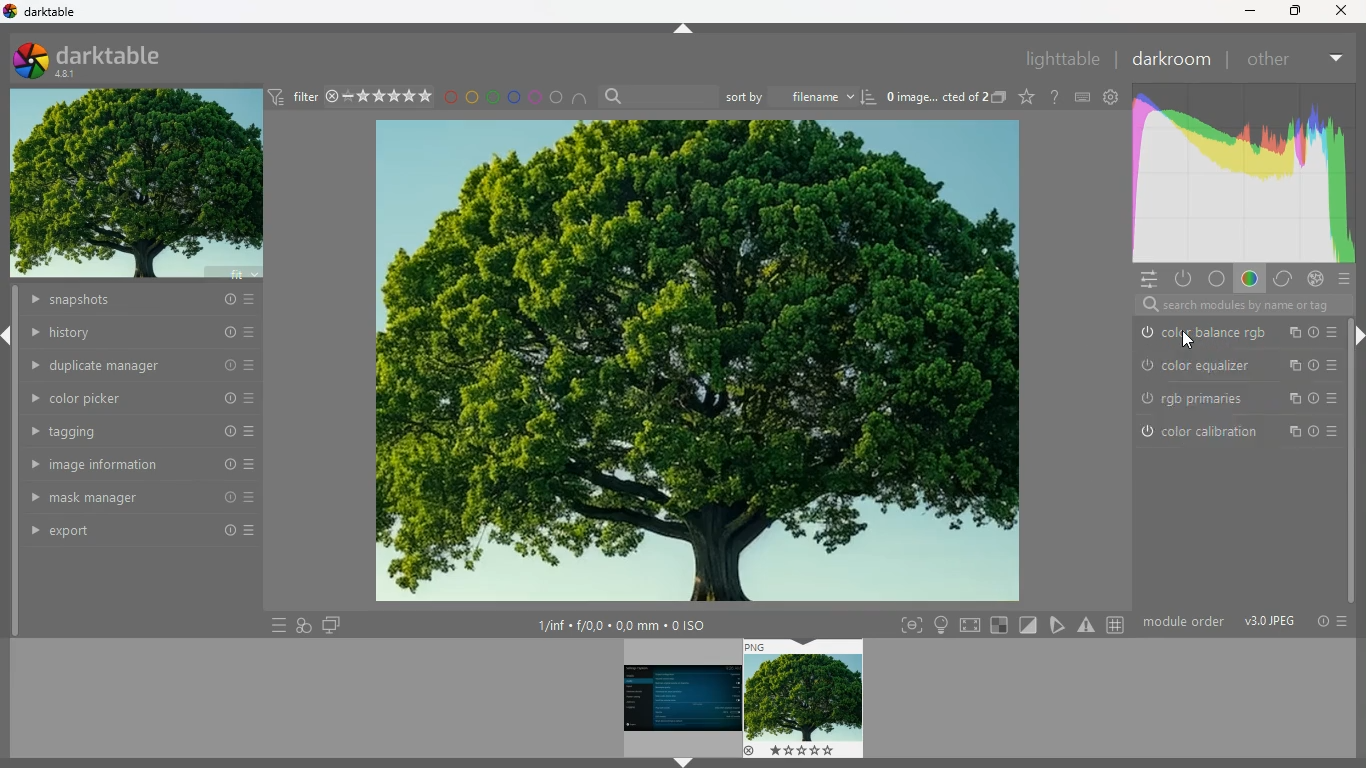  What do you see at coordinates (349, 96) in the screenshot?
I see `filter` at bounding box center [349, 96].